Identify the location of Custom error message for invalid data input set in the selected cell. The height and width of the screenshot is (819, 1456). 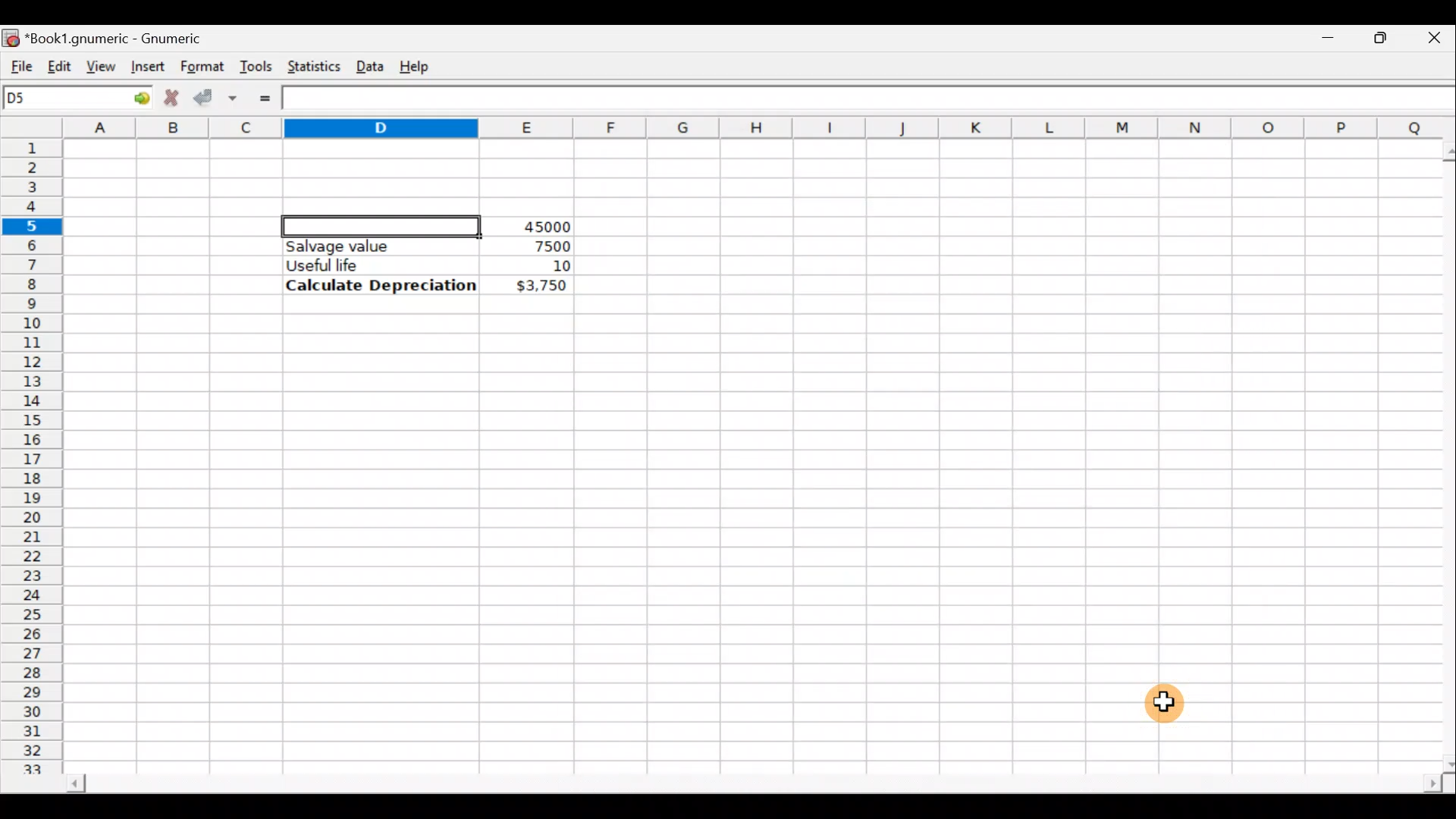
(381, 224).